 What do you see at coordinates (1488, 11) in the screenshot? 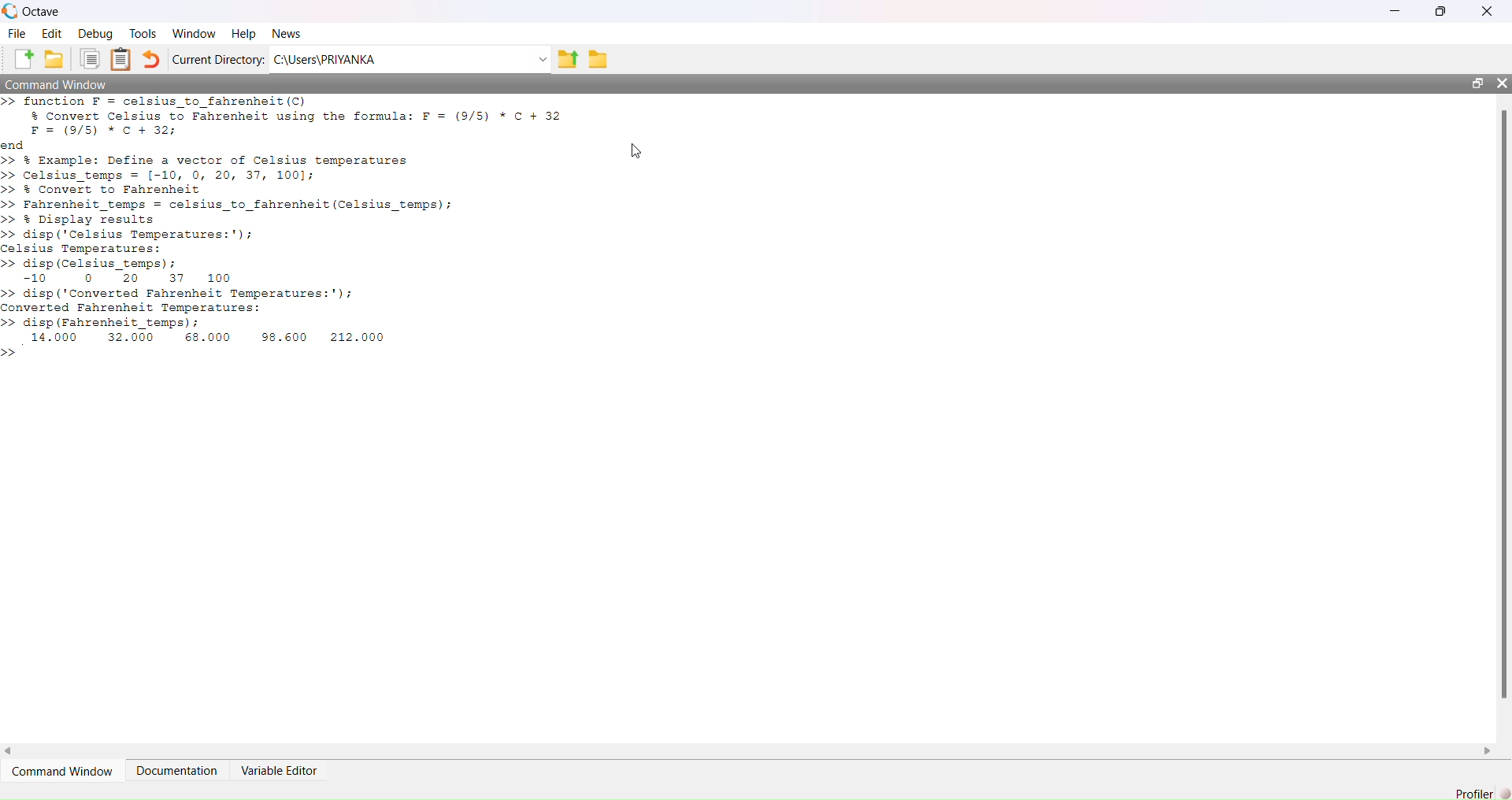
I see `close` at bounding box center [1488, 11].